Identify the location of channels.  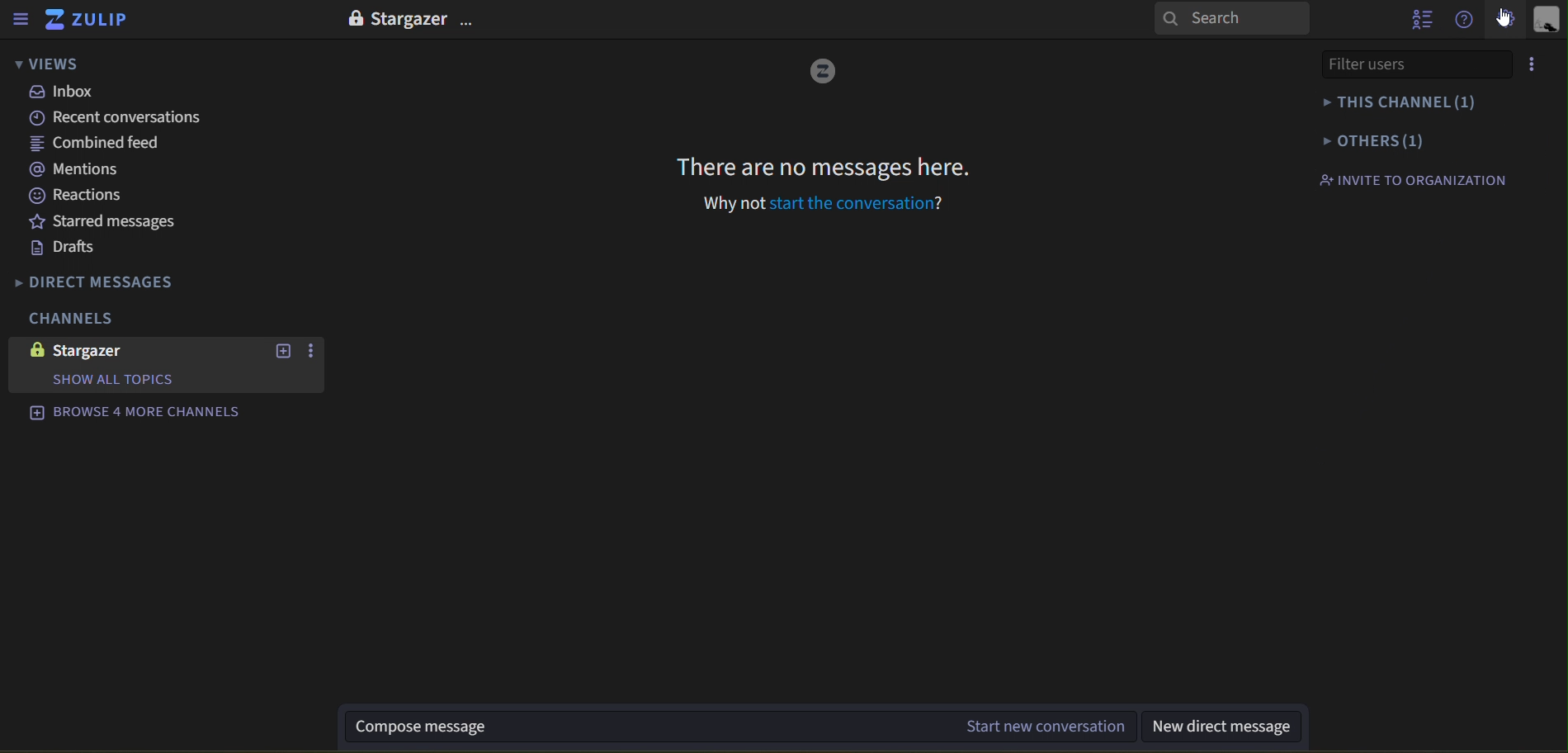
(75, 320).